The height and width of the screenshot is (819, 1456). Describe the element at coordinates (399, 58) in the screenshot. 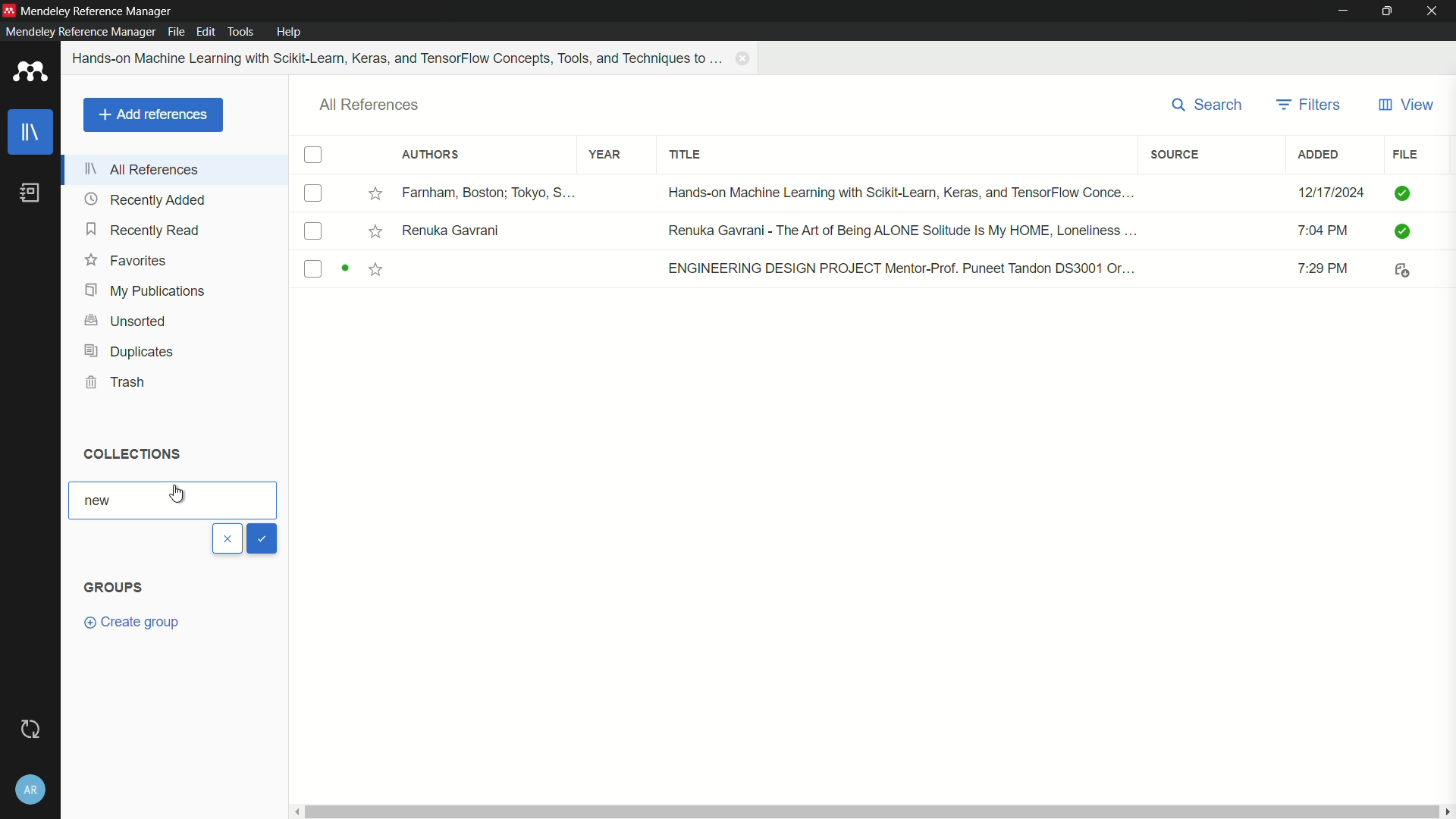

I see `book name` at that location.